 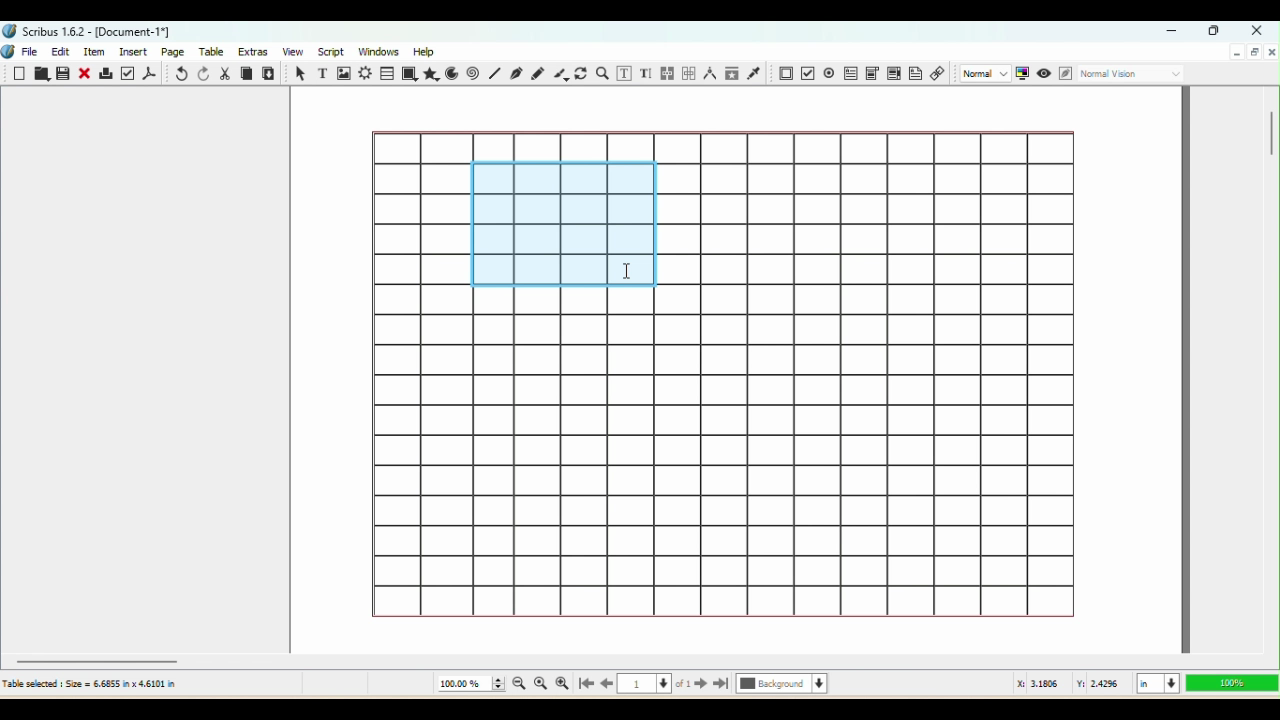 What do you see at coordinates (1043, 72) in the screenshot?
I see `Preview mode` at bounding box center [1043, 72].